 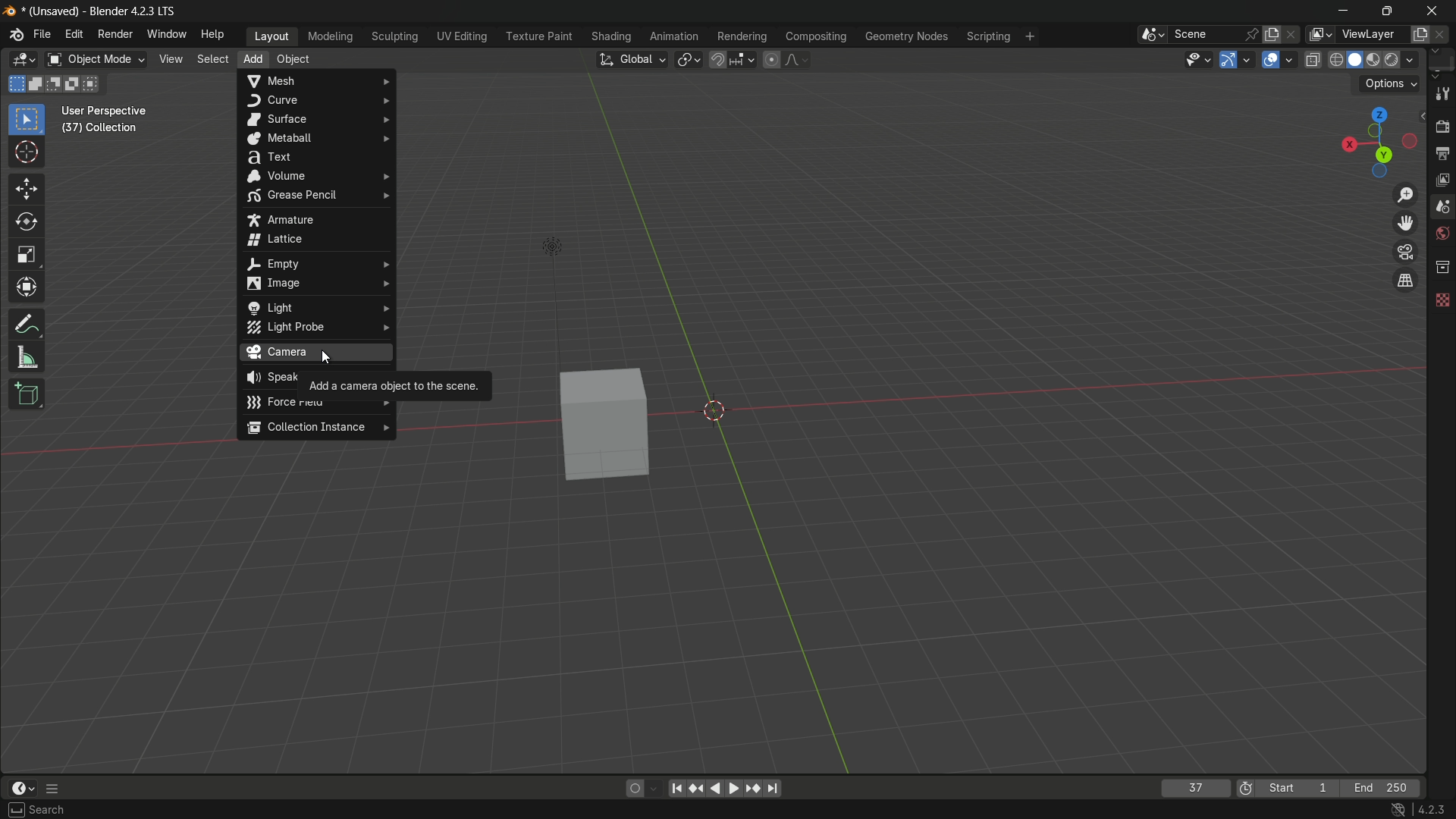 I want to click on view, so click(x=169, y=60).